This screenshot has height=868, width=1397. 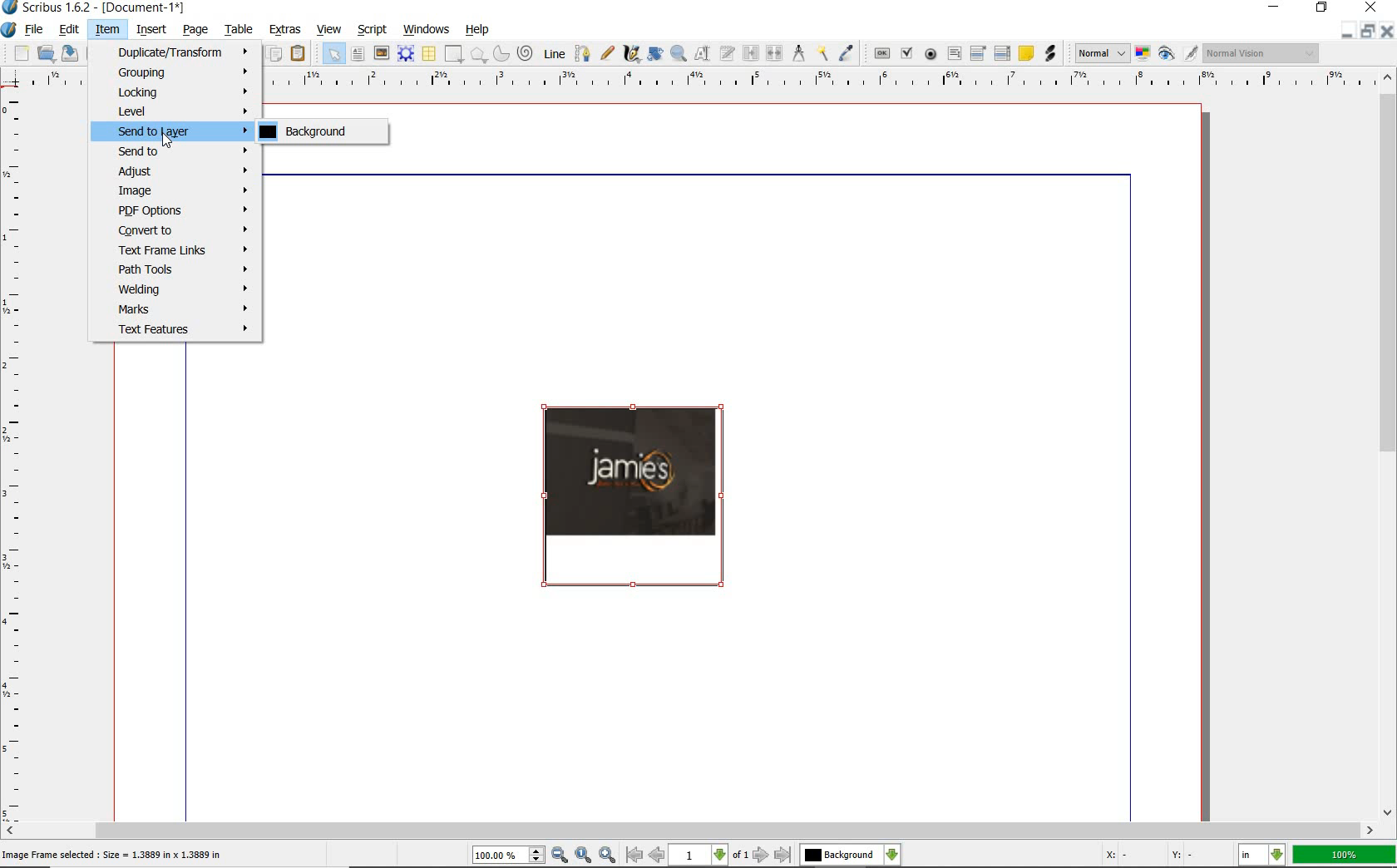 I want to click on new, so click(x=19, y=52).